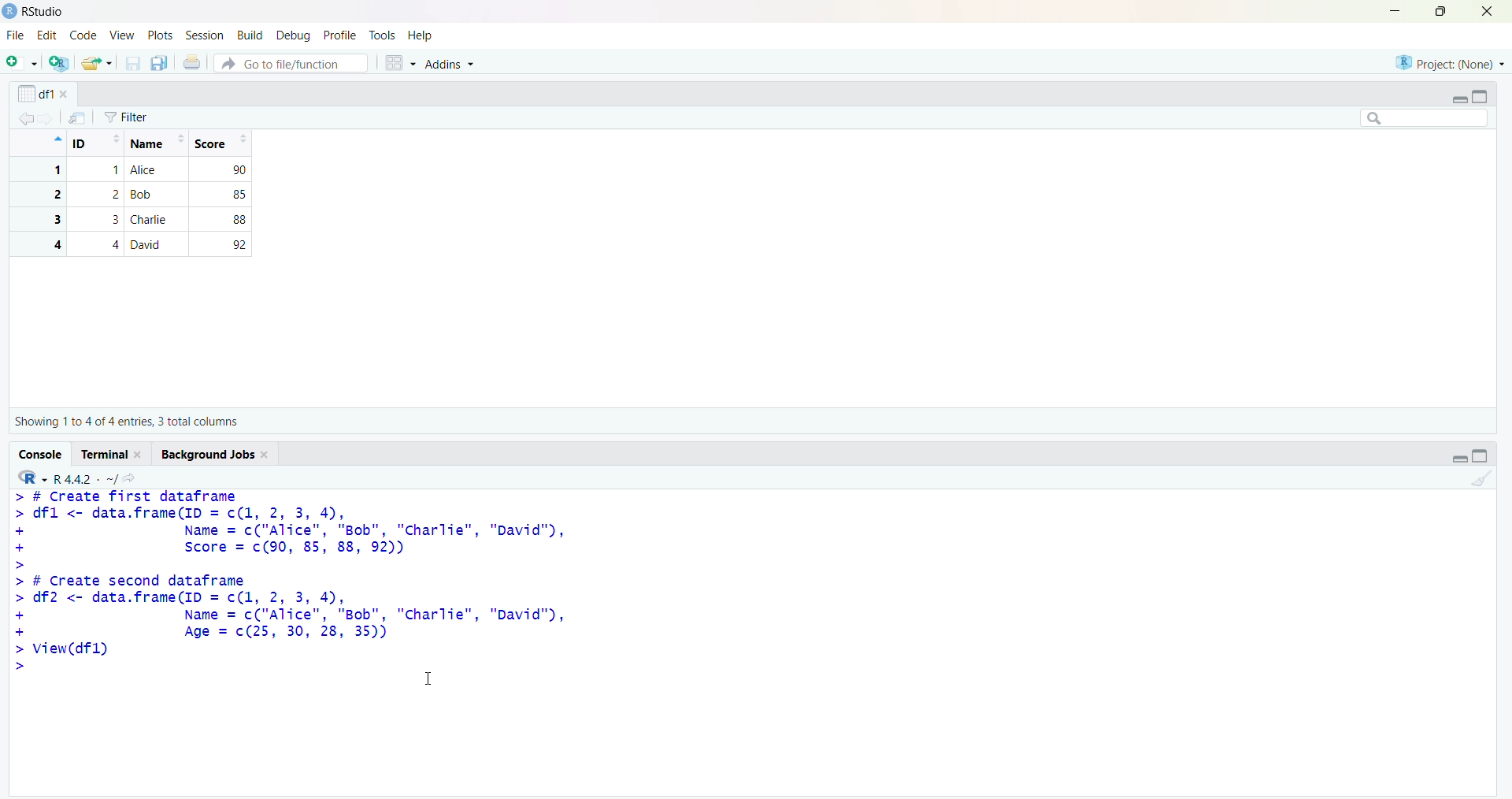 The height and width of the screenshot is (799, 1512). Describe the element at coordinates (140, 455) in the screenshot. I see `close` at that location.